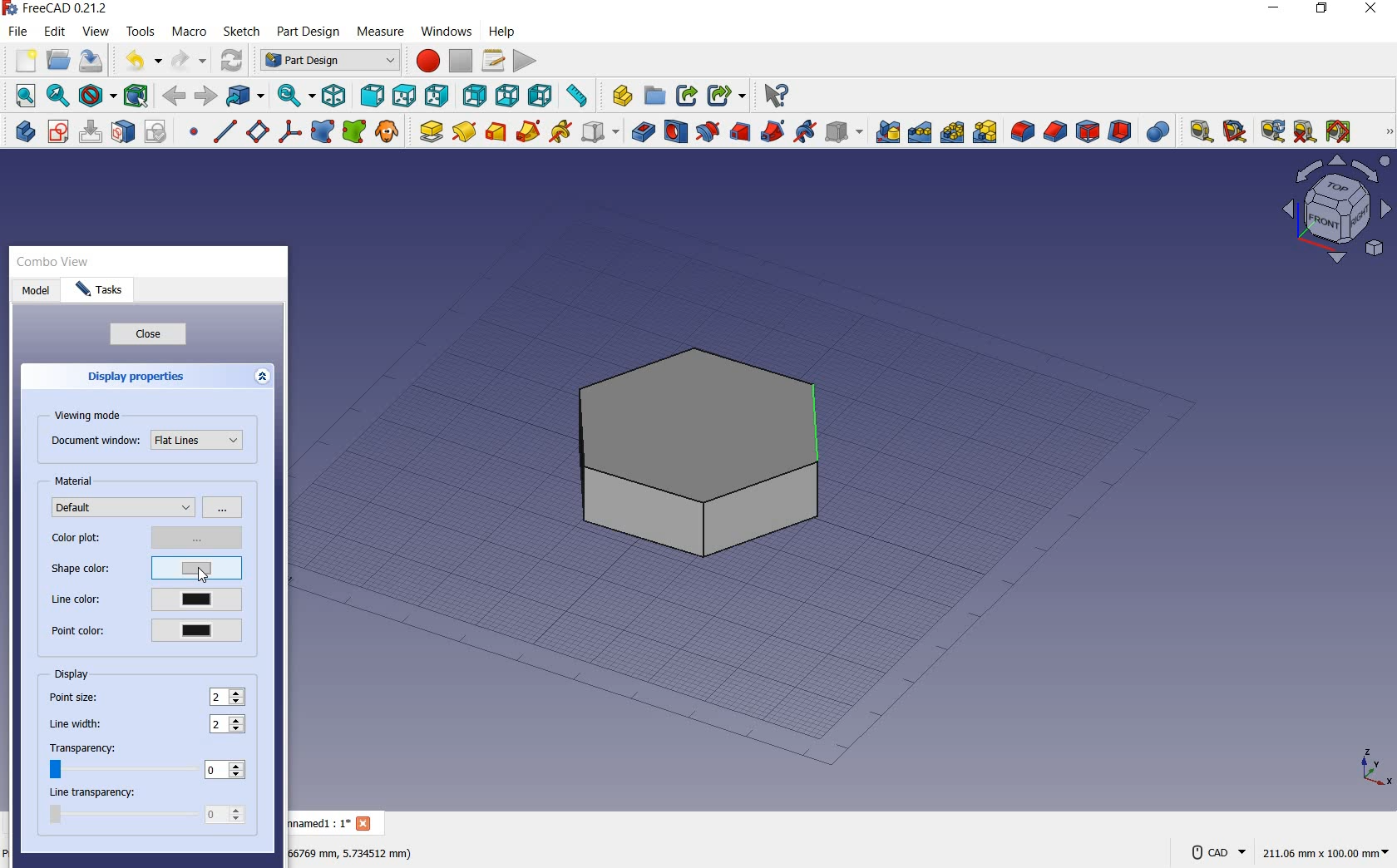 This screenshot has width=1397, height=868. What do you see at coordinates (1386, 133) in the screenshot?
I see `MEASURE` at bounding box center [1386, 133].